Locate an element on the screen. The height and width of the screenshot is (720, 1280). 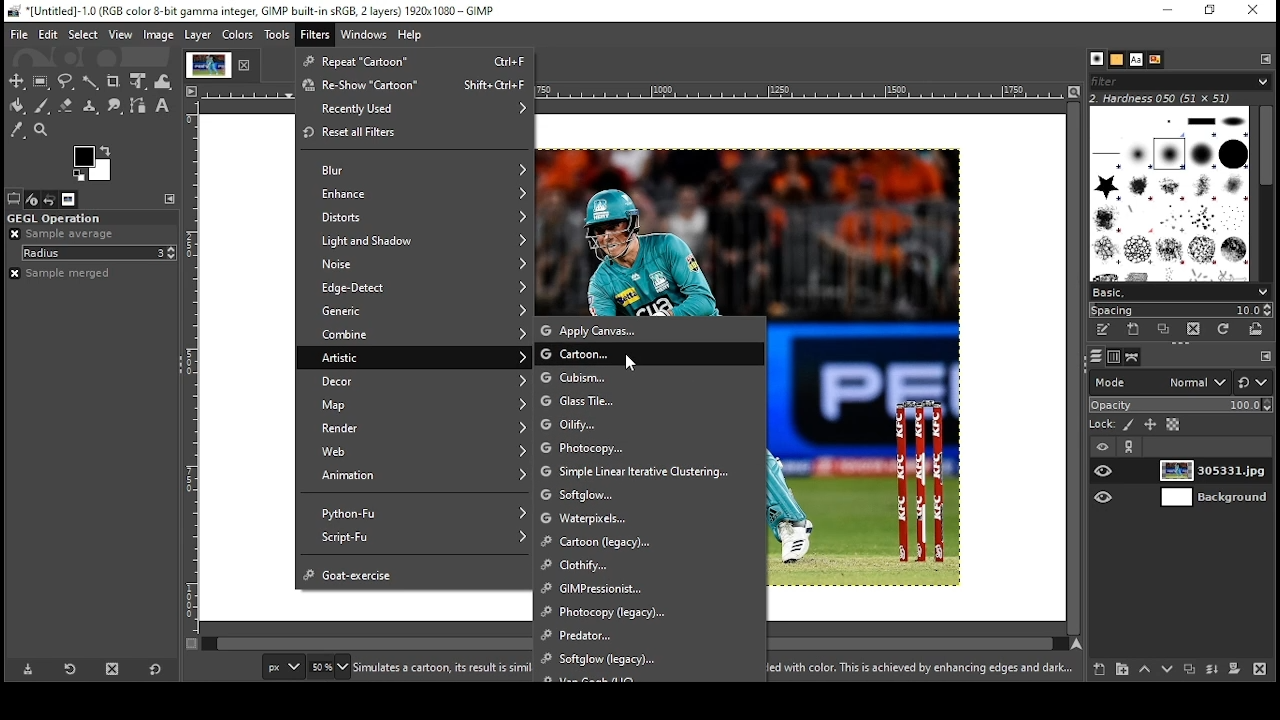
filters is located at coordinates (315, 35).